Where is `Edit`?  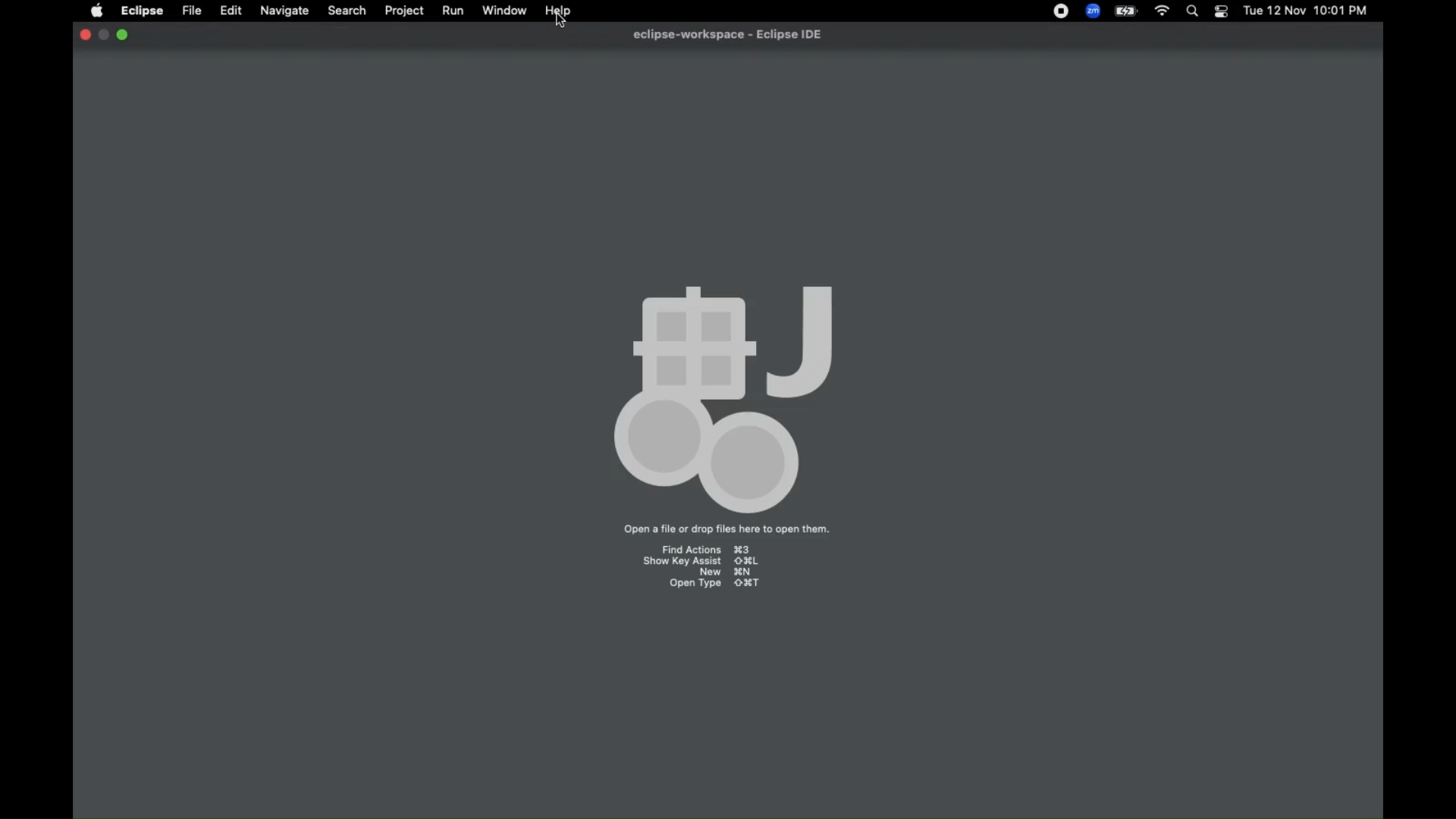 Edit is located at coordinates (231, 11).